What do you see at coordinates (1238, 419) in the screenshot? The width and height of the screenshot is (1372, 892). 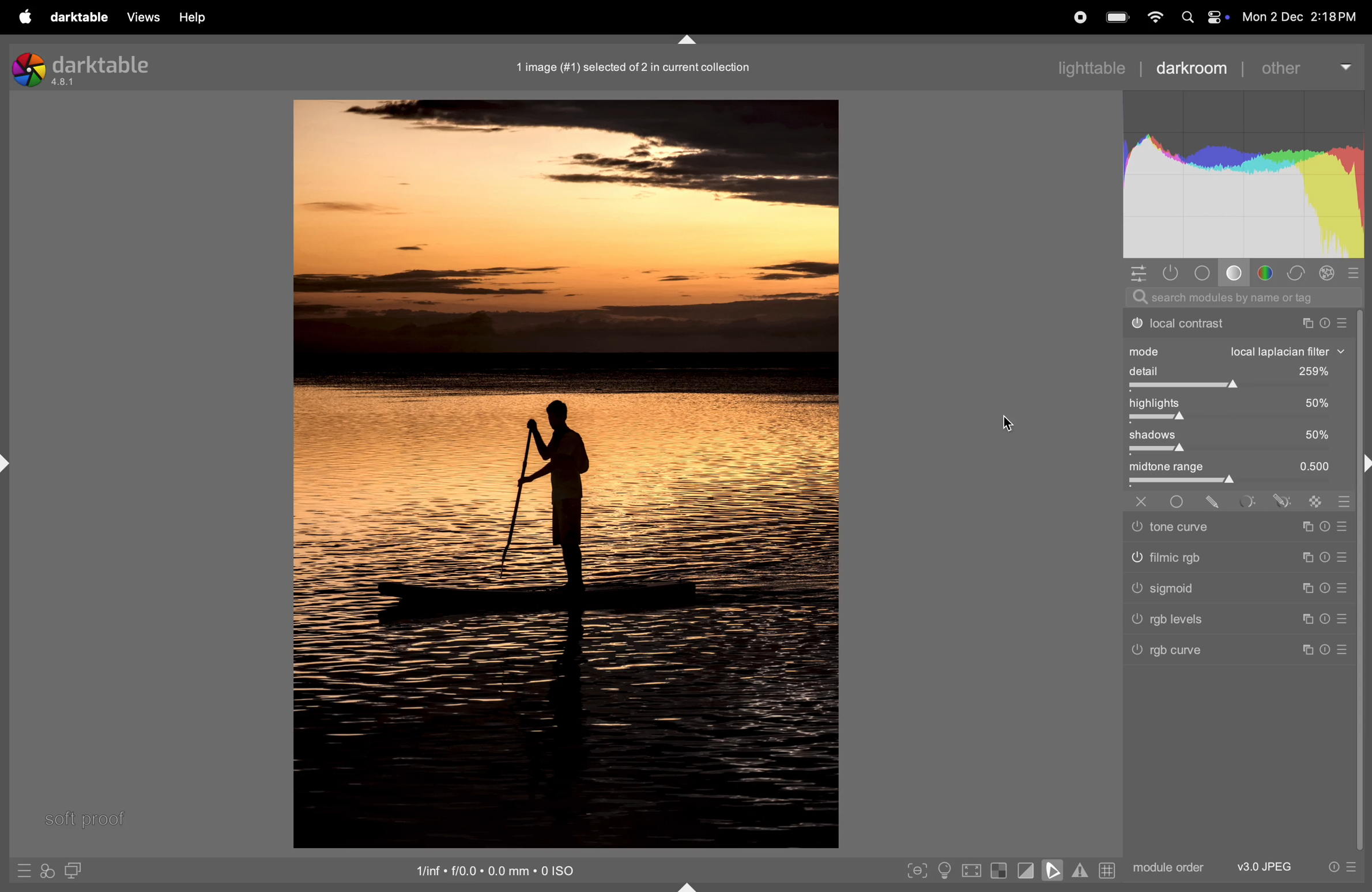 I see `togglebar` at bounding box center [1238, 419].